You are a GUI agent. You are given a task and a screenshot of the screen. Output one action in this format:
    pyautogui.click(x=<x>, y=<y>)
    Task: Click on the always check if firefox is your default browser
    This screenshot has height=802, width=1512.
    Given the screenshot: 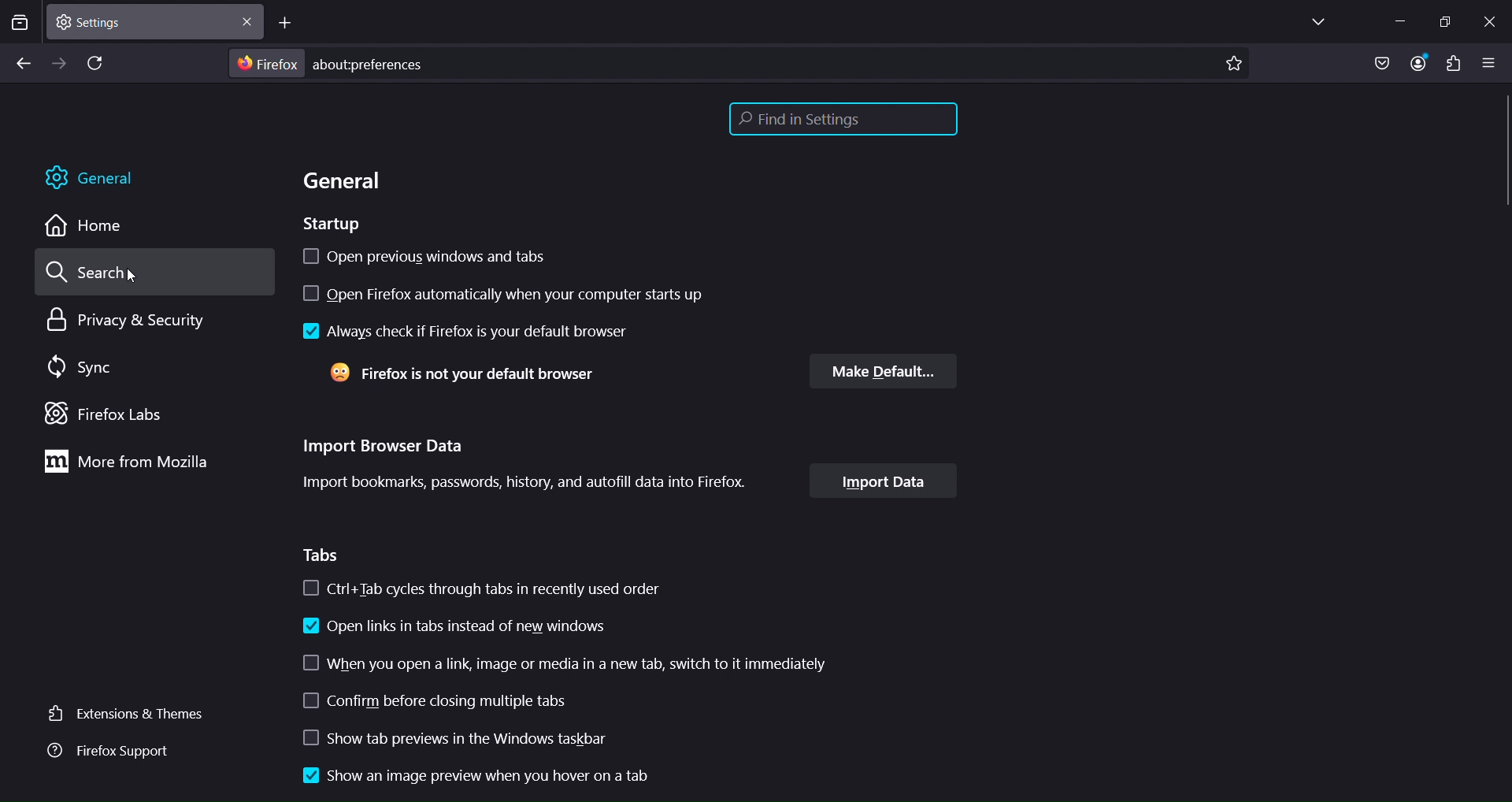 What is the action you would take?
    pyautogui.click(x=472, y=332)
    